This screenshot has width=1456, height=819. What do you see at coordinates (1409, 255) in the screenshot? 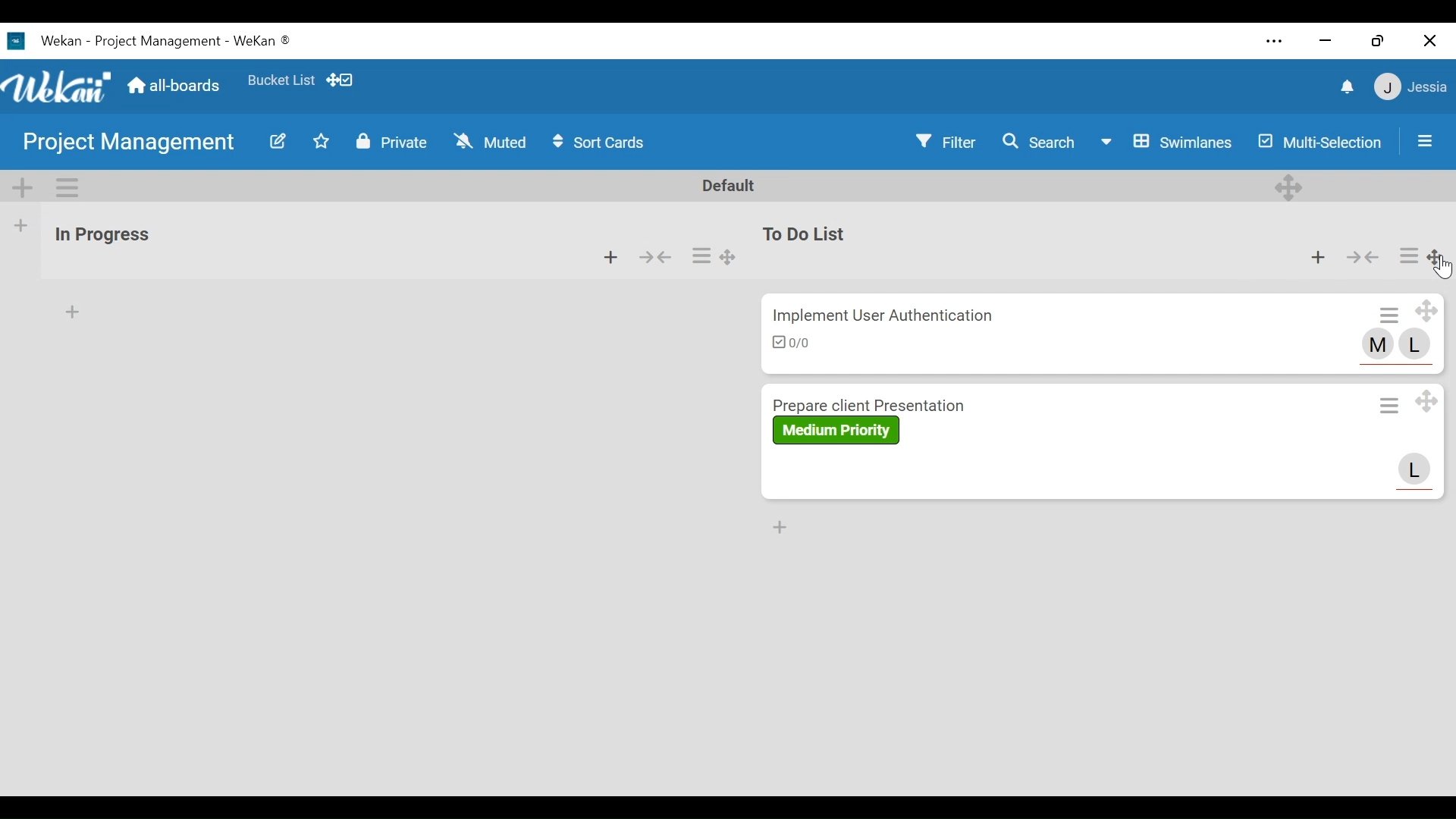
I see `List Actions` at bounding box center [1409, 255].